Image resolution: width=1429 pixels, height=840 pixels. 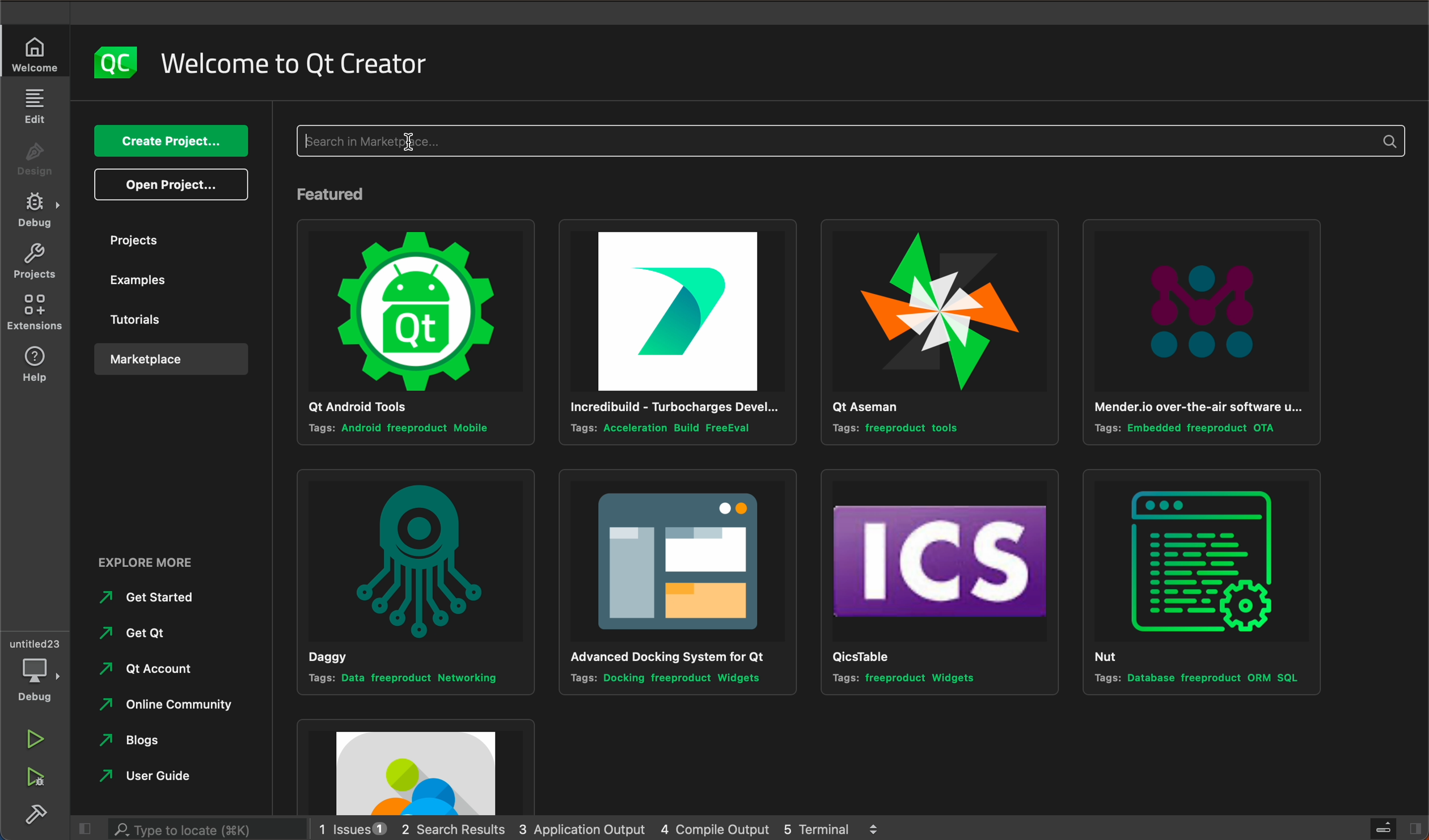 What do you see at coordinates (301, 63) in the screenshot?
I see `welcome` at bounding box center [301, 63].